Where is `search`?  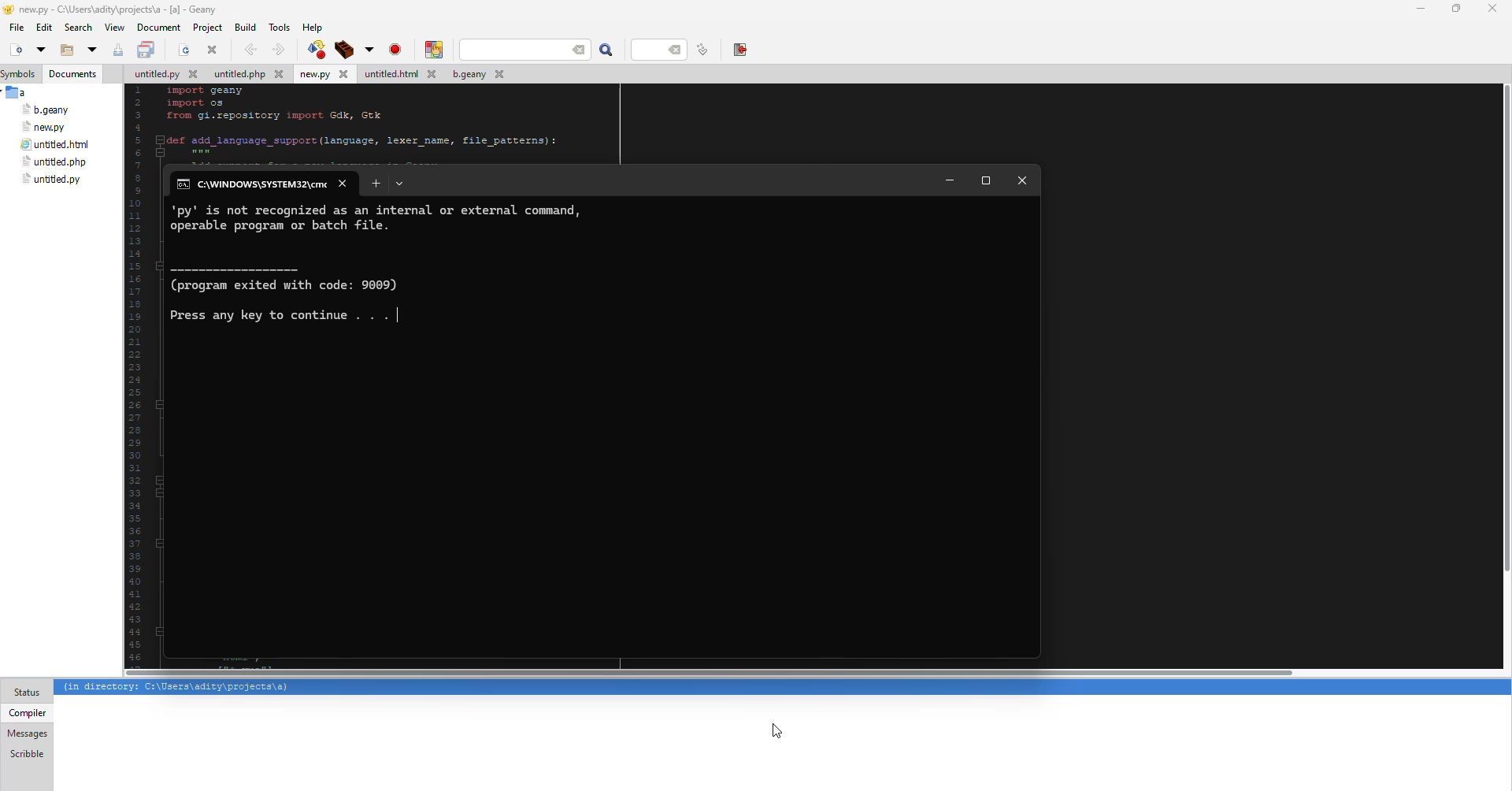 search is located at coordinates (525, 50).